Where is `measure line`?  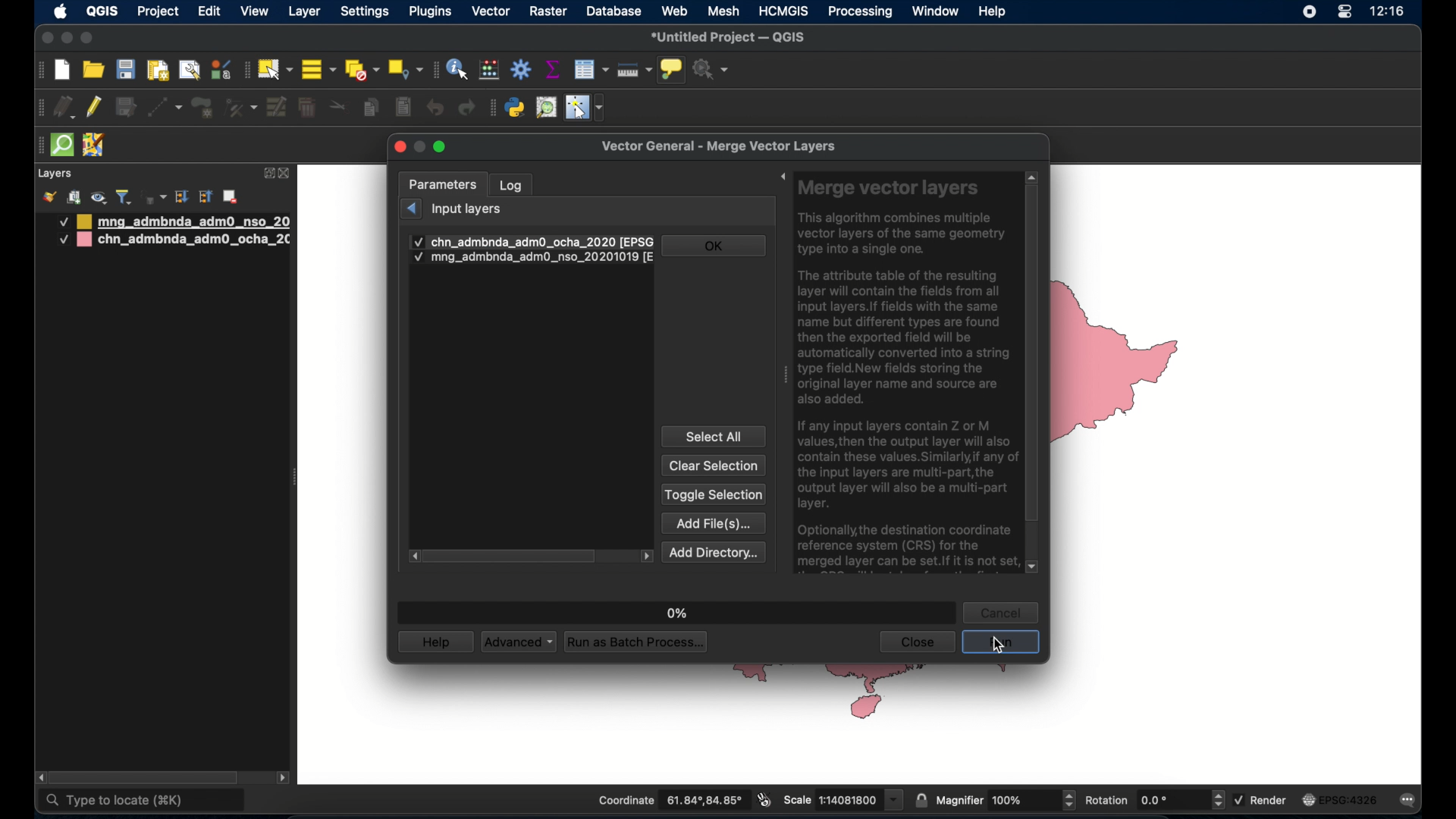
measure line is located at coordinates (634, 71).